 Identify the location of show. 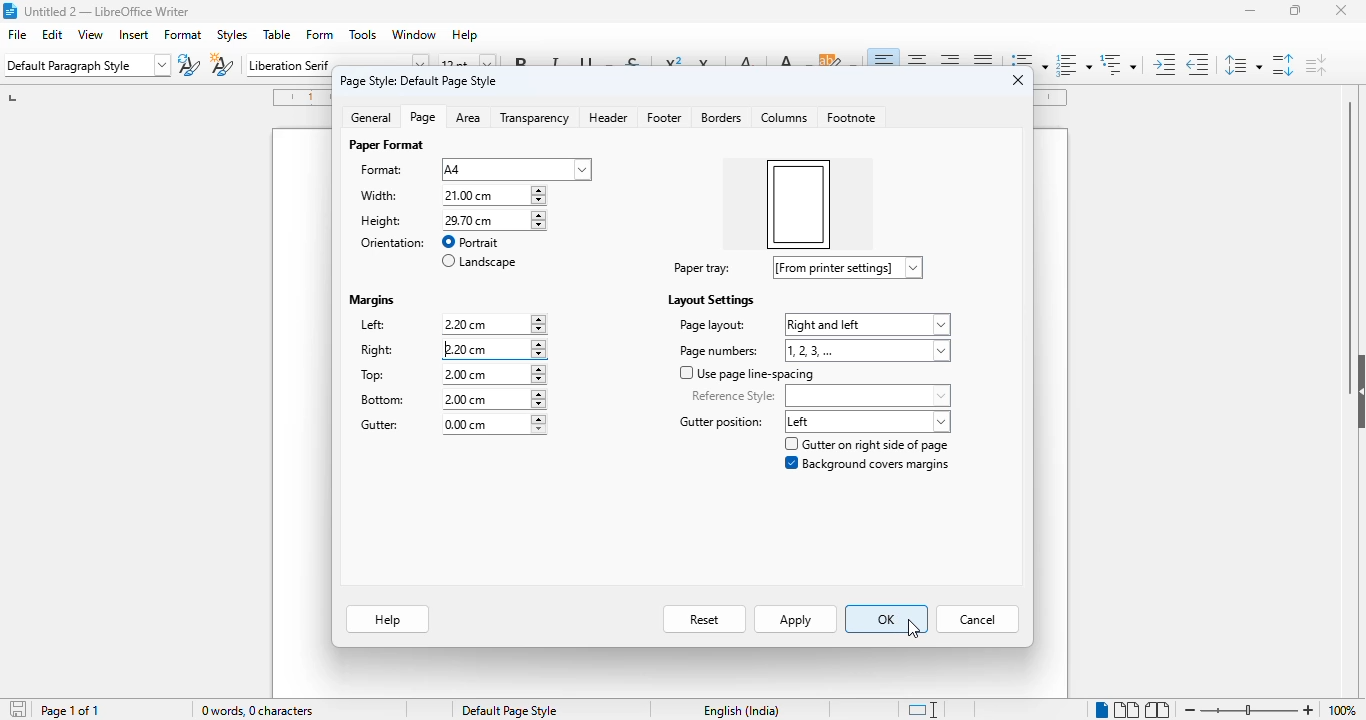
(1357, 392).